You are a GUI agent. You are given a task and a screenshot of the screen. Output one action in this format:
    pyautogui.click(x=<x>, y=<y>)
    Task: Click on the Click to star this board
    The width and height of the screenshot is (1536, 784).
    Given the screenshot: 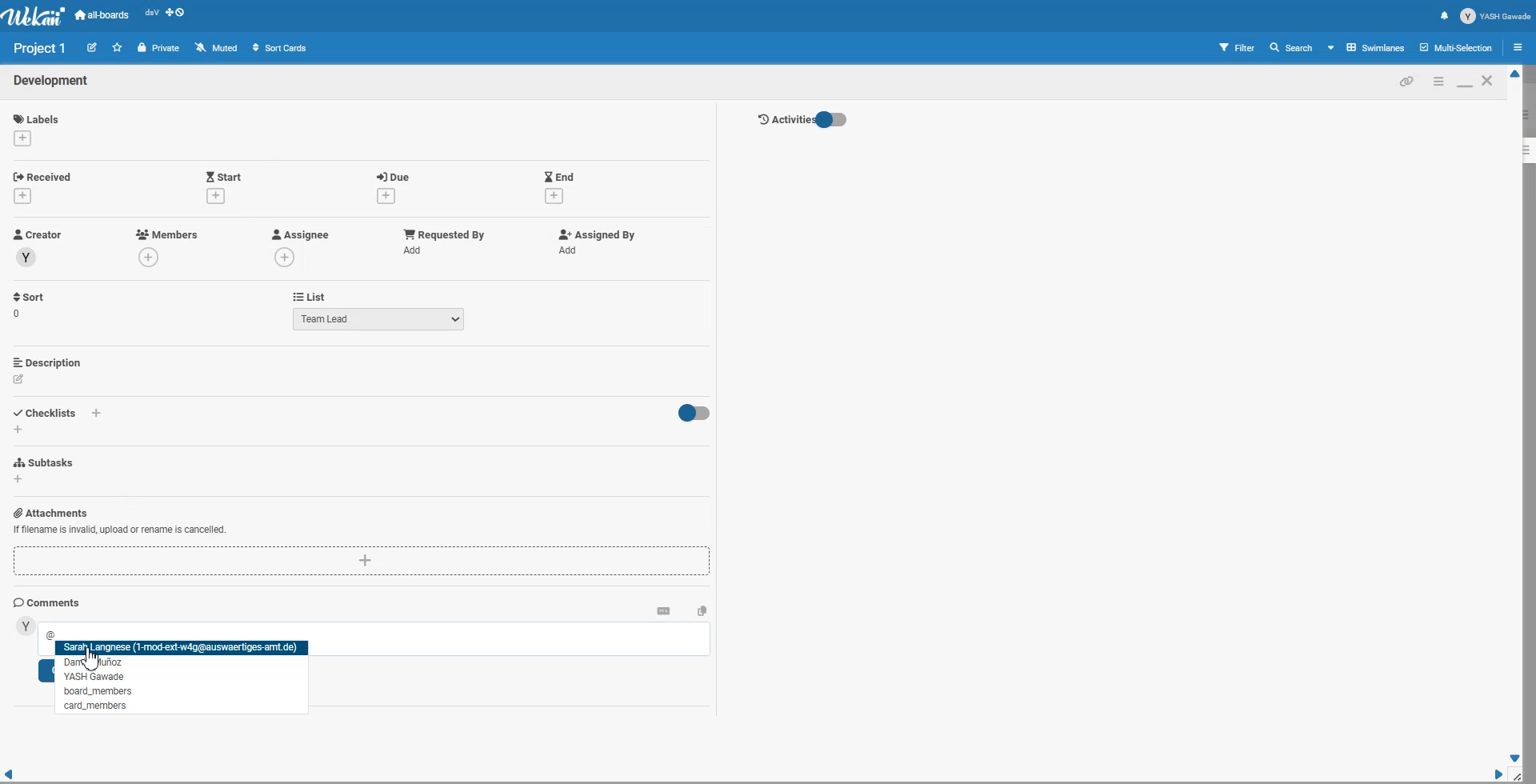 What is the action you would take?
    pyautogui.click(x=118, y=47)
    